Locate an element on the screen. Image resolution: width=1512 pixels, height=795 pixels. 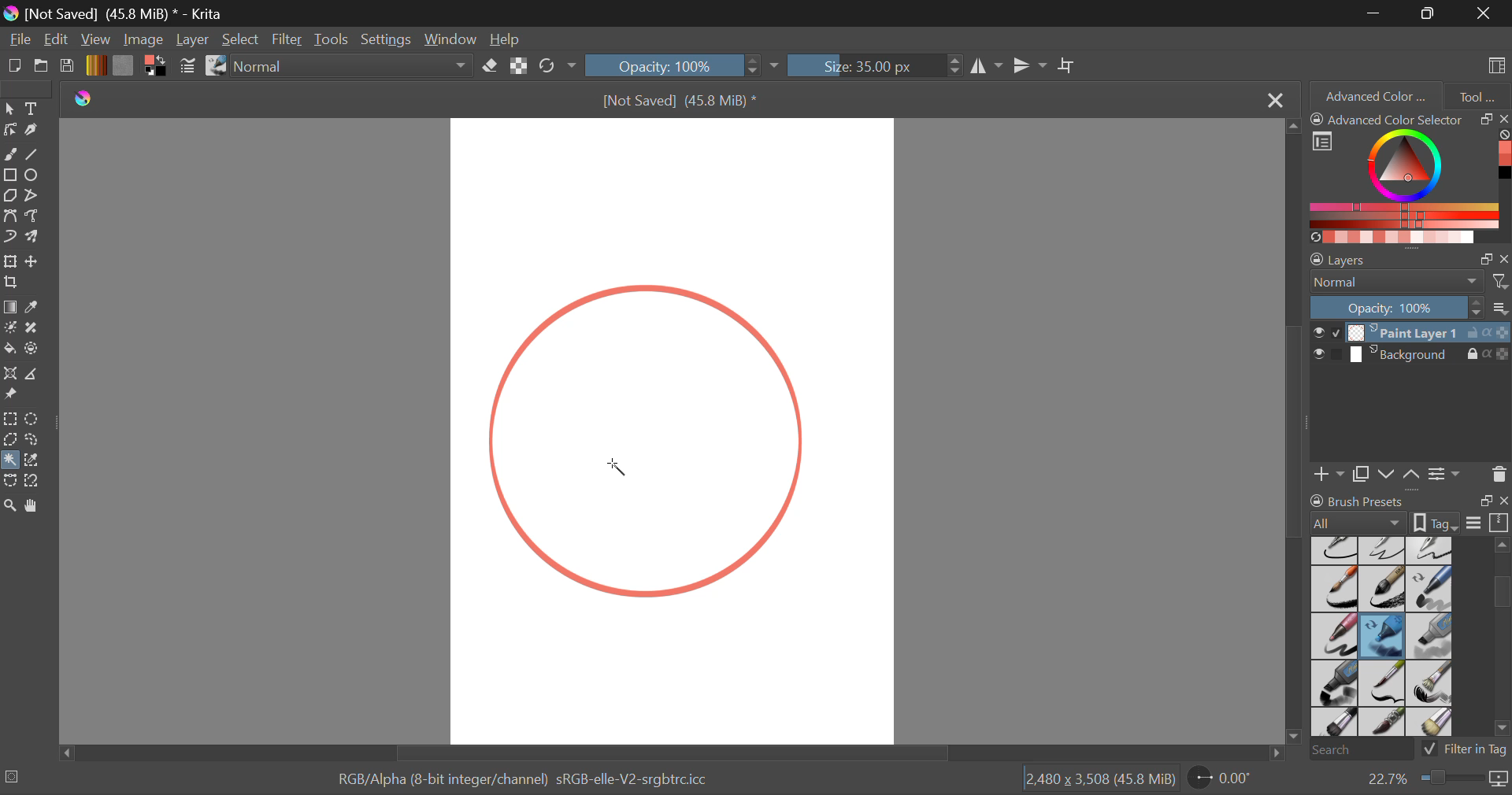
Delete is located at coordinates (1499, 474).